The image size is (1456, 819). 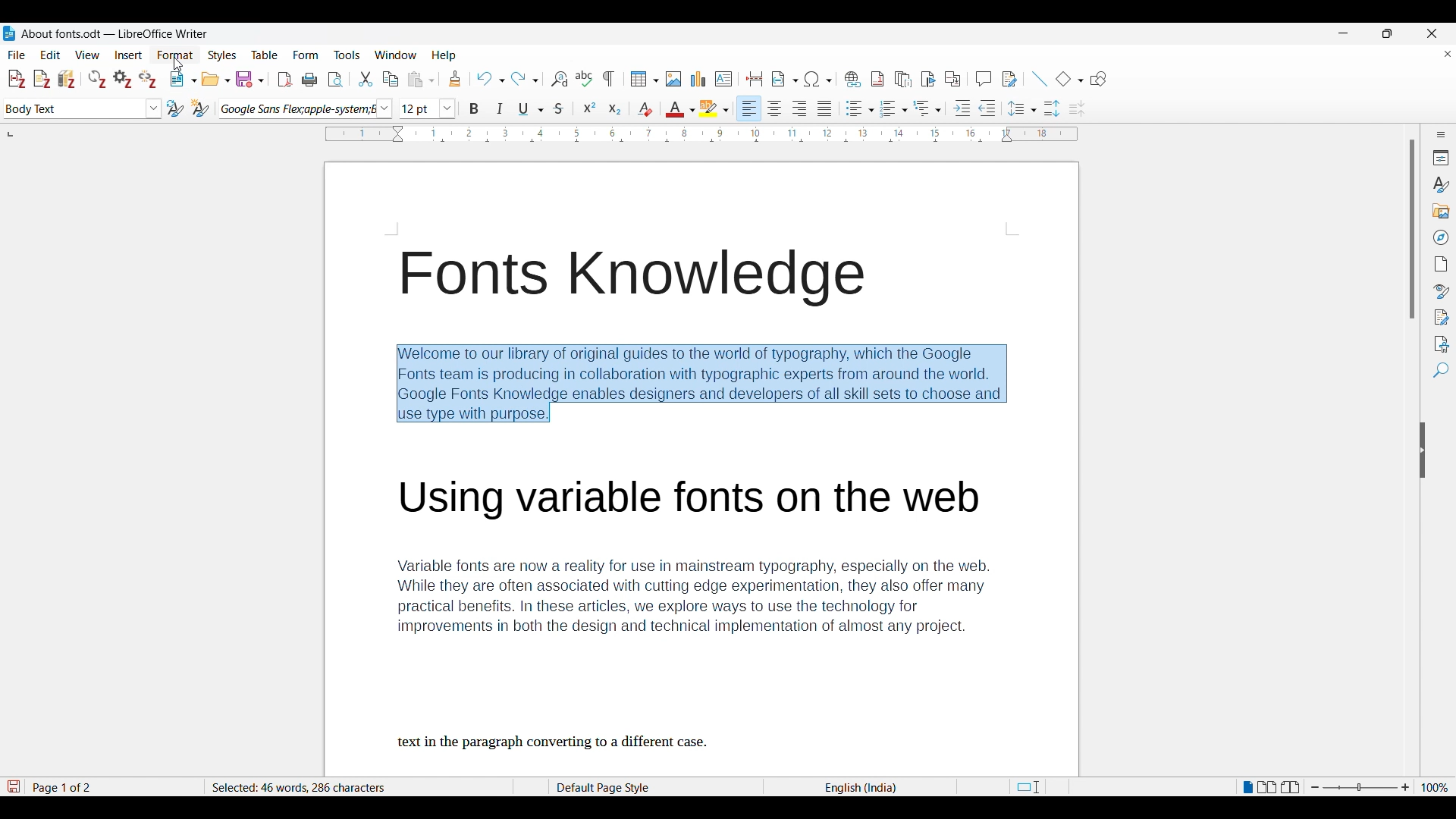 What do you see at coordinates (455, 78) in the screenshot?
I see `Clone formatting` at bounding box center [455, 78].